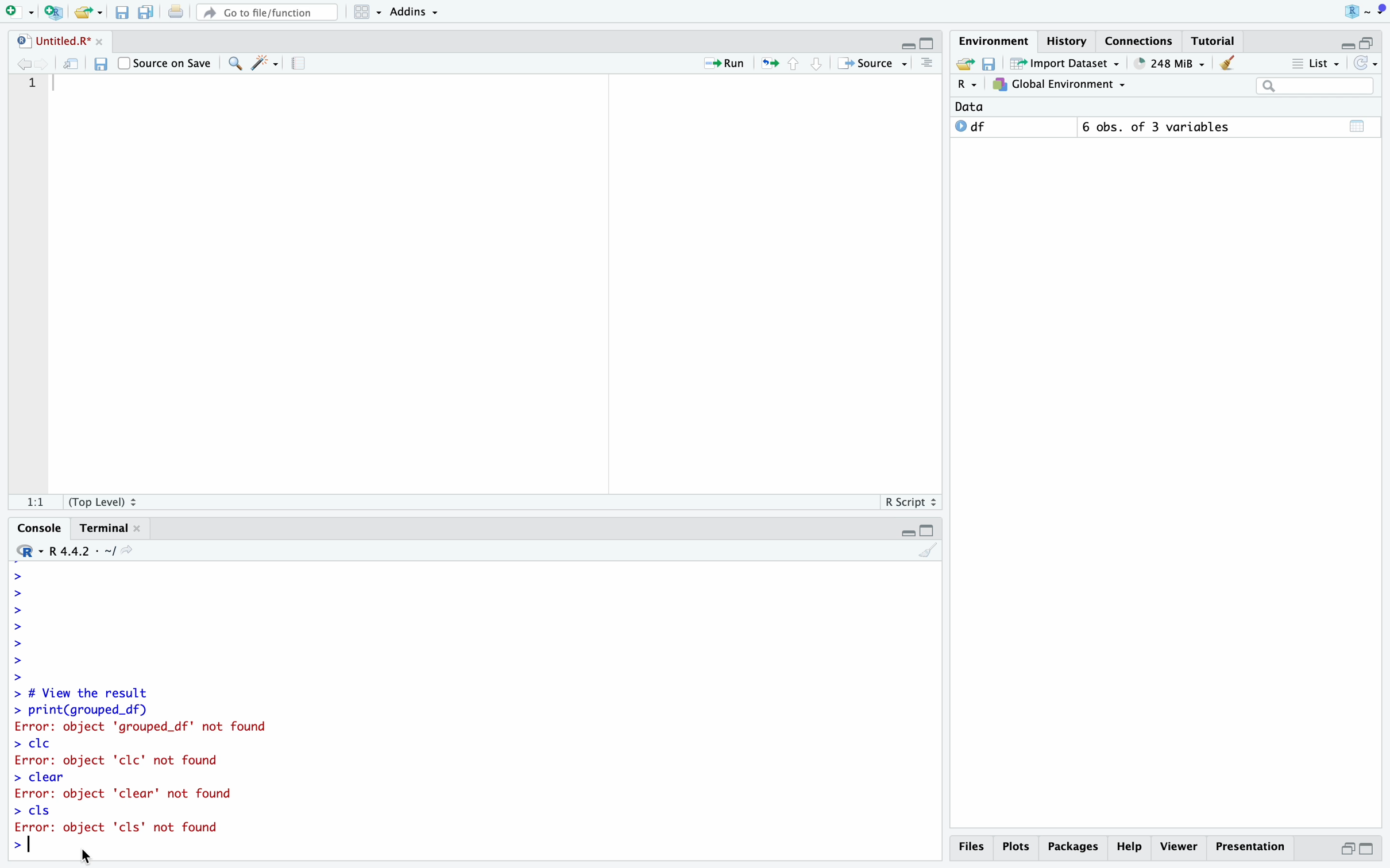 Image resolution: width=1390 pixels, height=868 pixels. Describe the element at coordinates (1359, 127) in the screenshot. I see `Calender` at that location.